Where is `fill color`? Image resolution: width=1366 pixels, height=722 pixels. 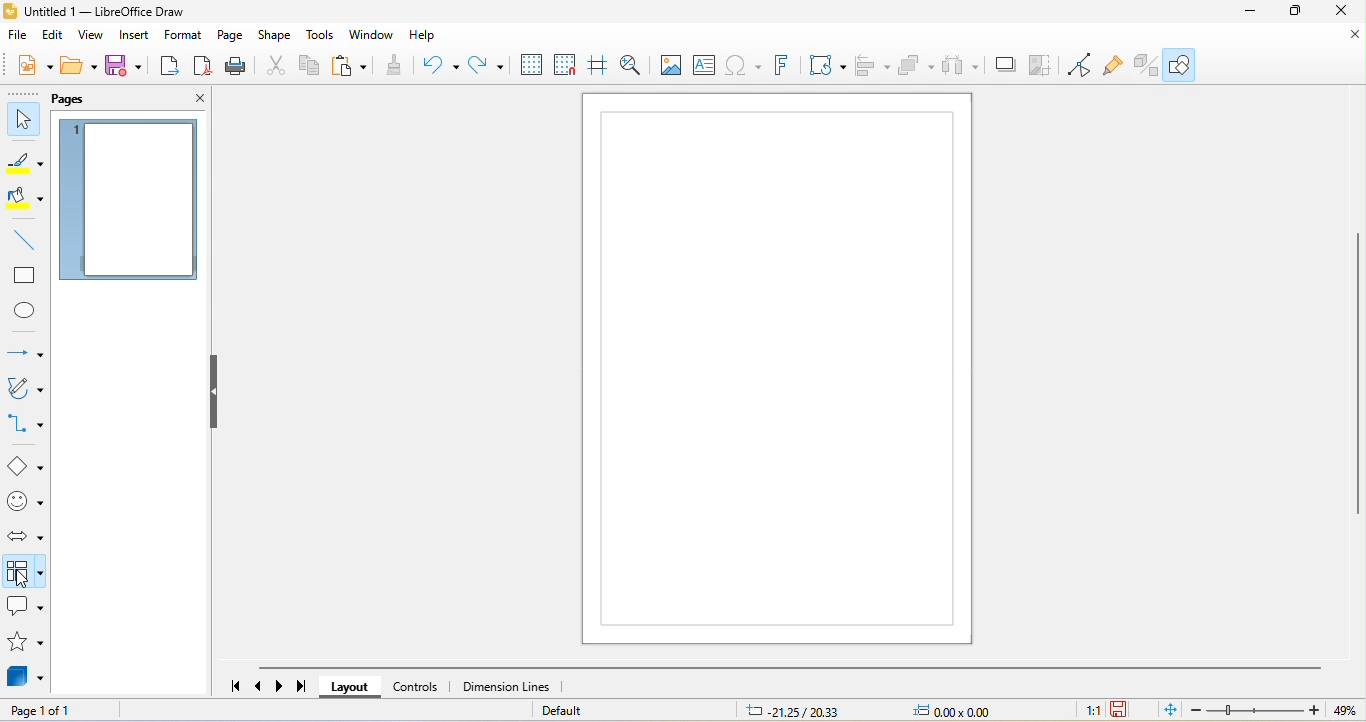
fill color is located at coordinates (23, 198).